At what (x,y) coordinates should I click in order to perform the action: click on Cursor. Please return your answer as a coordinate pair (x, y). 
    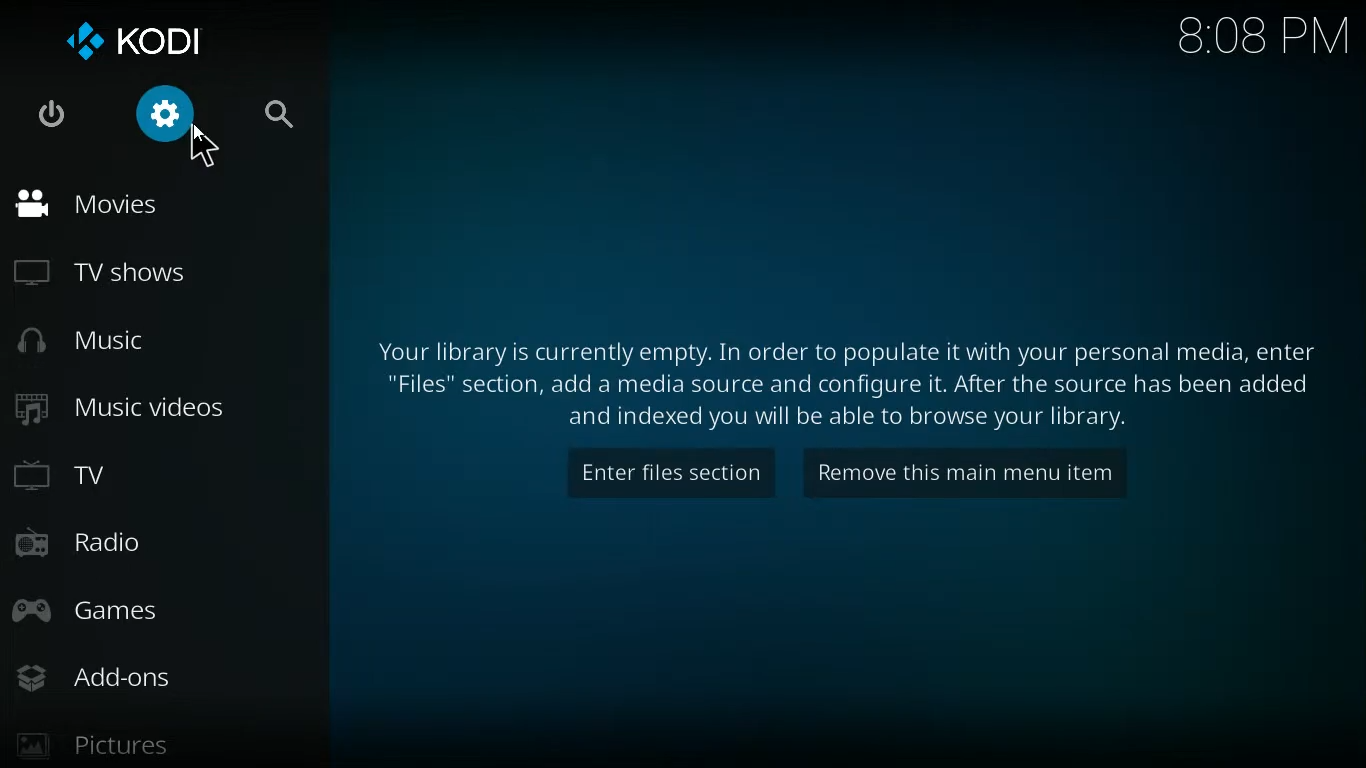
    Looking at the image, I should click on (204, 148).